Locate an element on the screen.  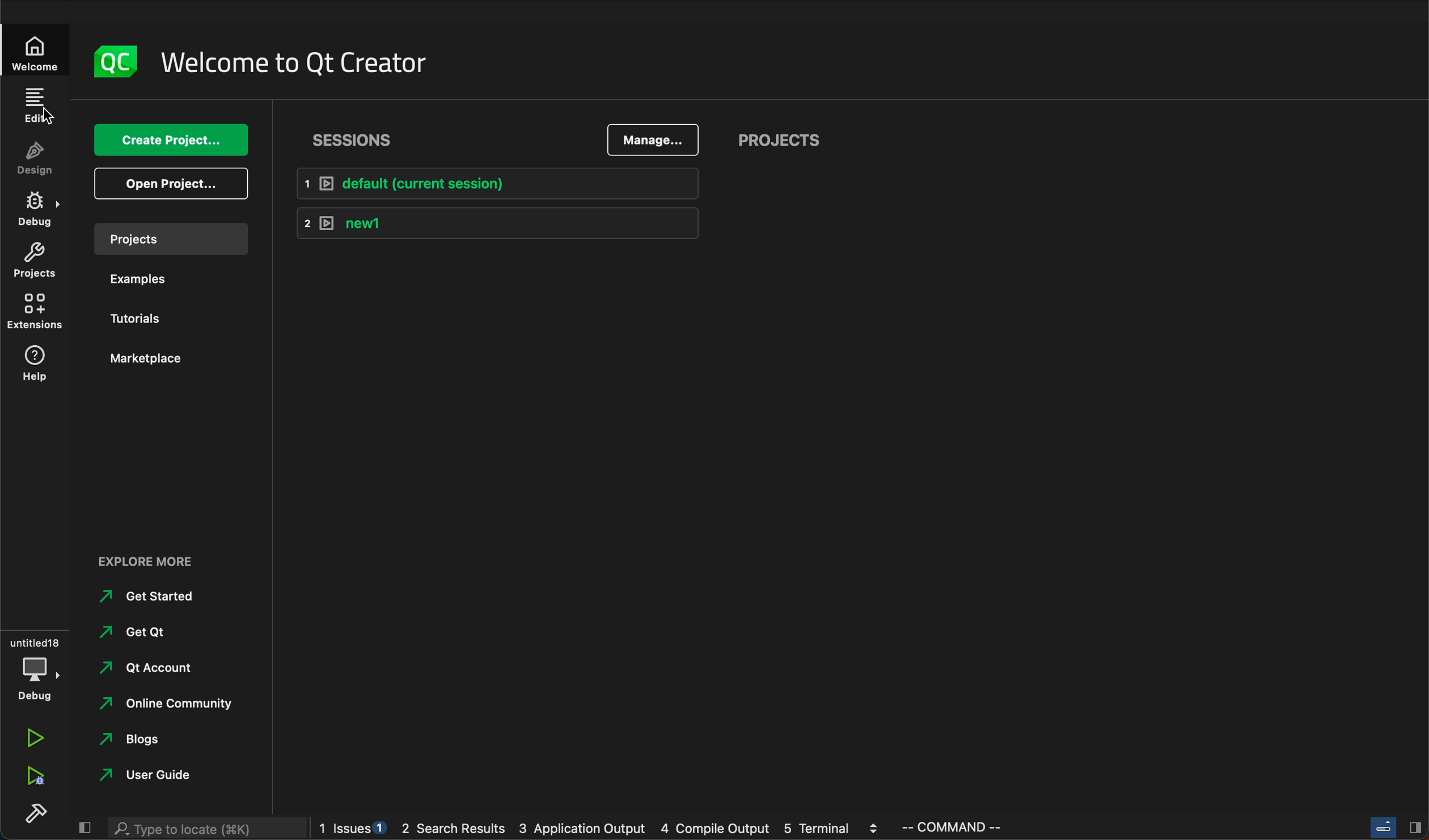
sessions is located at coordinates (359, 137).